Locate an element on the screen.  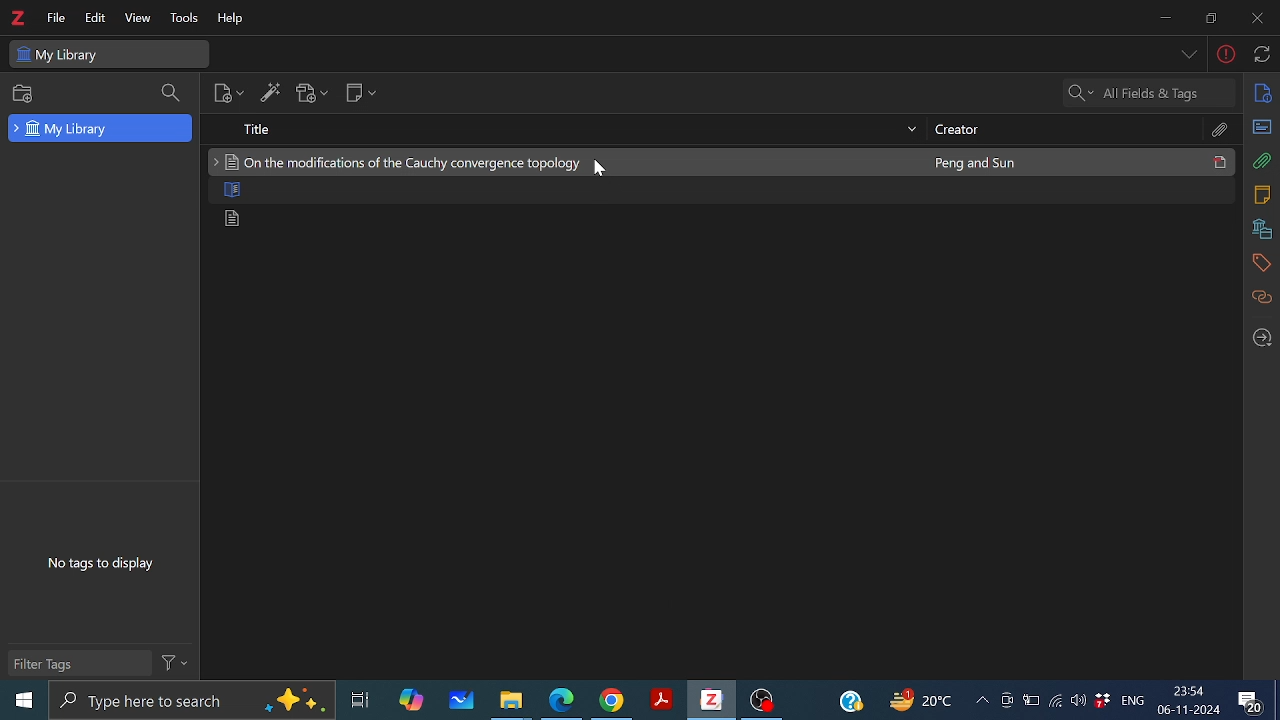
Tools is located at coordinates (182, 20).